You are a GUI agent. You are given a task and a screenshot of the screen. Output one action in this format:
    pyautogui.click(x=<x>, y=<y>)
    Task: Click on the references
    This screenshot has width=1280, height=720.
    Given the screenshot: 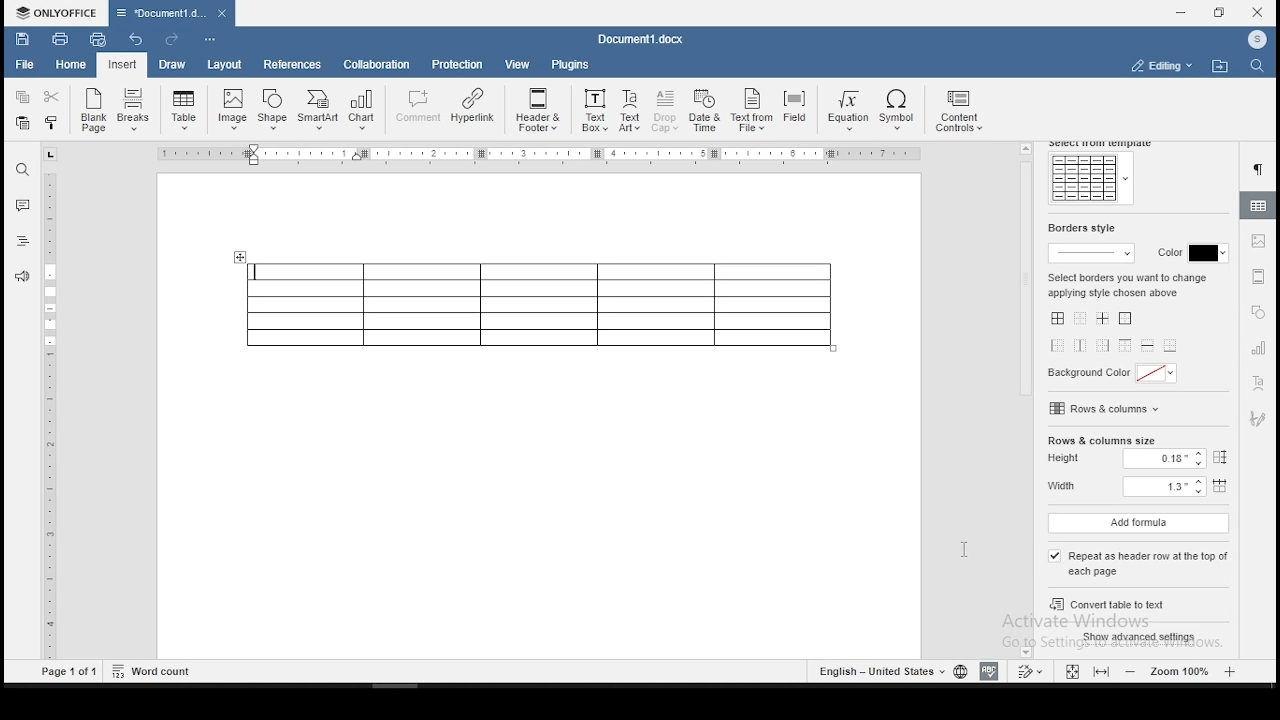 What is the action you would take?
    pyautogui.click(x=291, y=65)
    